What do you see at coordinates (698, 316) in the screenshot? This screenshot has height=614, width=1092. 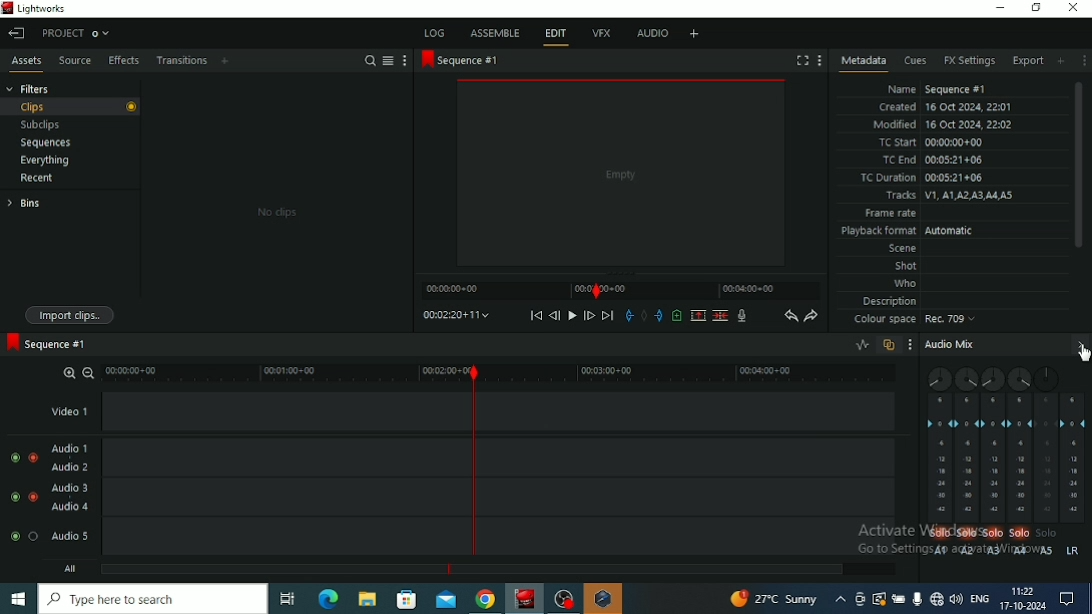 I see `Remove the marked section` at bounding box center [698, 316].